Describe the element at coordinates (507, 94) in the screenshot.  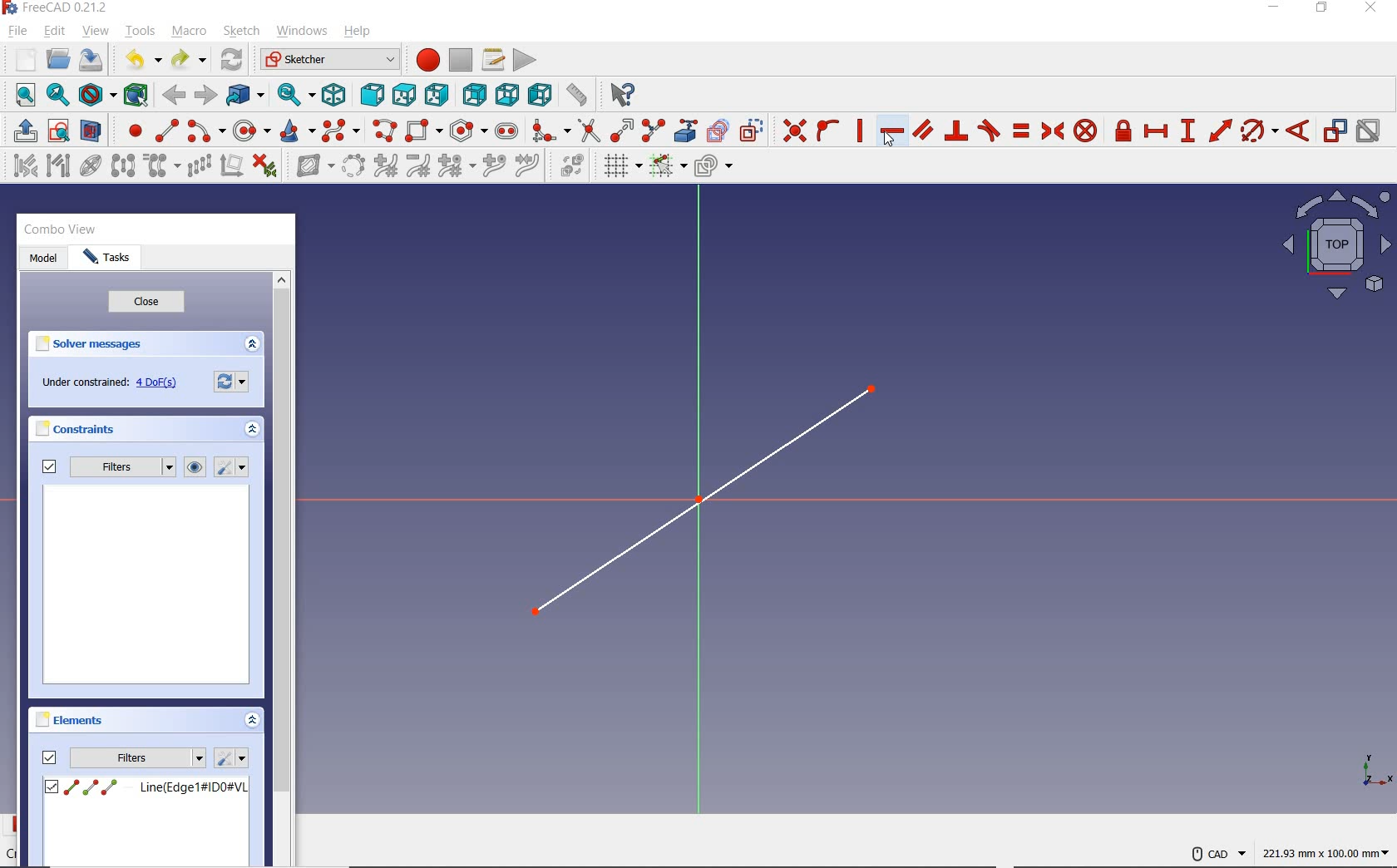
I see `BOTTOM` at that location.